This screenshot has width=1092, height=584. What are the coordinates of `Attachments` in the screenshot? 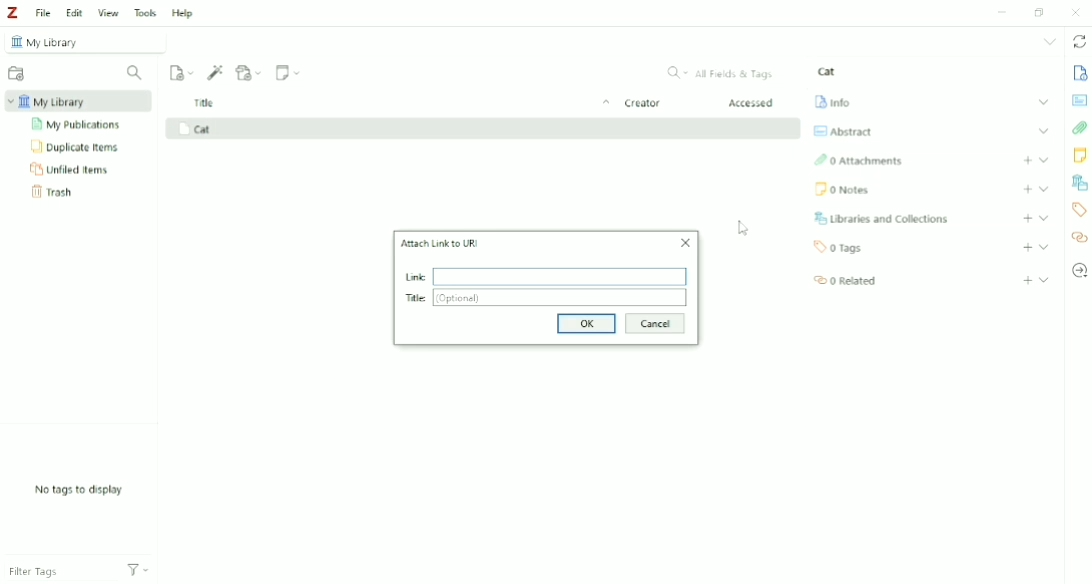 It's located at (1080, 129).